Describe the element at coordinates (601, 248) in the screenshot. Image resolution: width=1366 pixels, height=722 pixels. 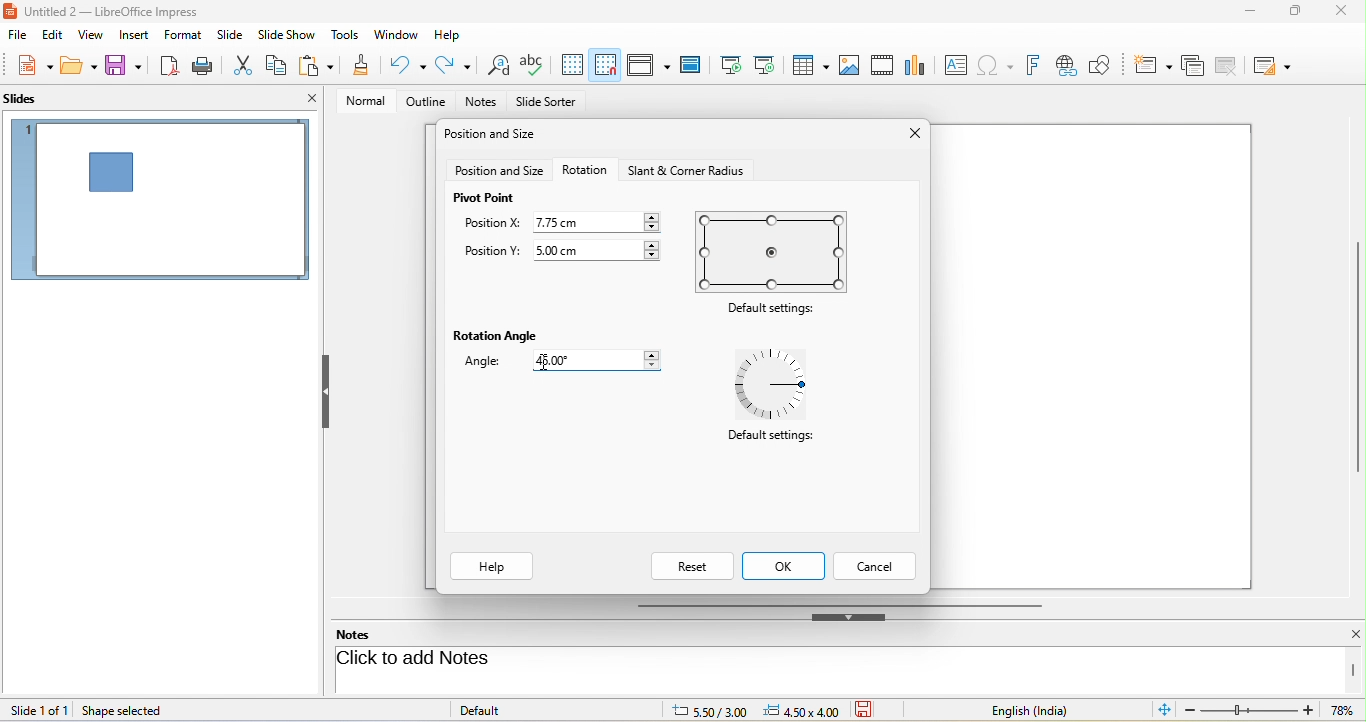
I see `5.00 cm` at that location.